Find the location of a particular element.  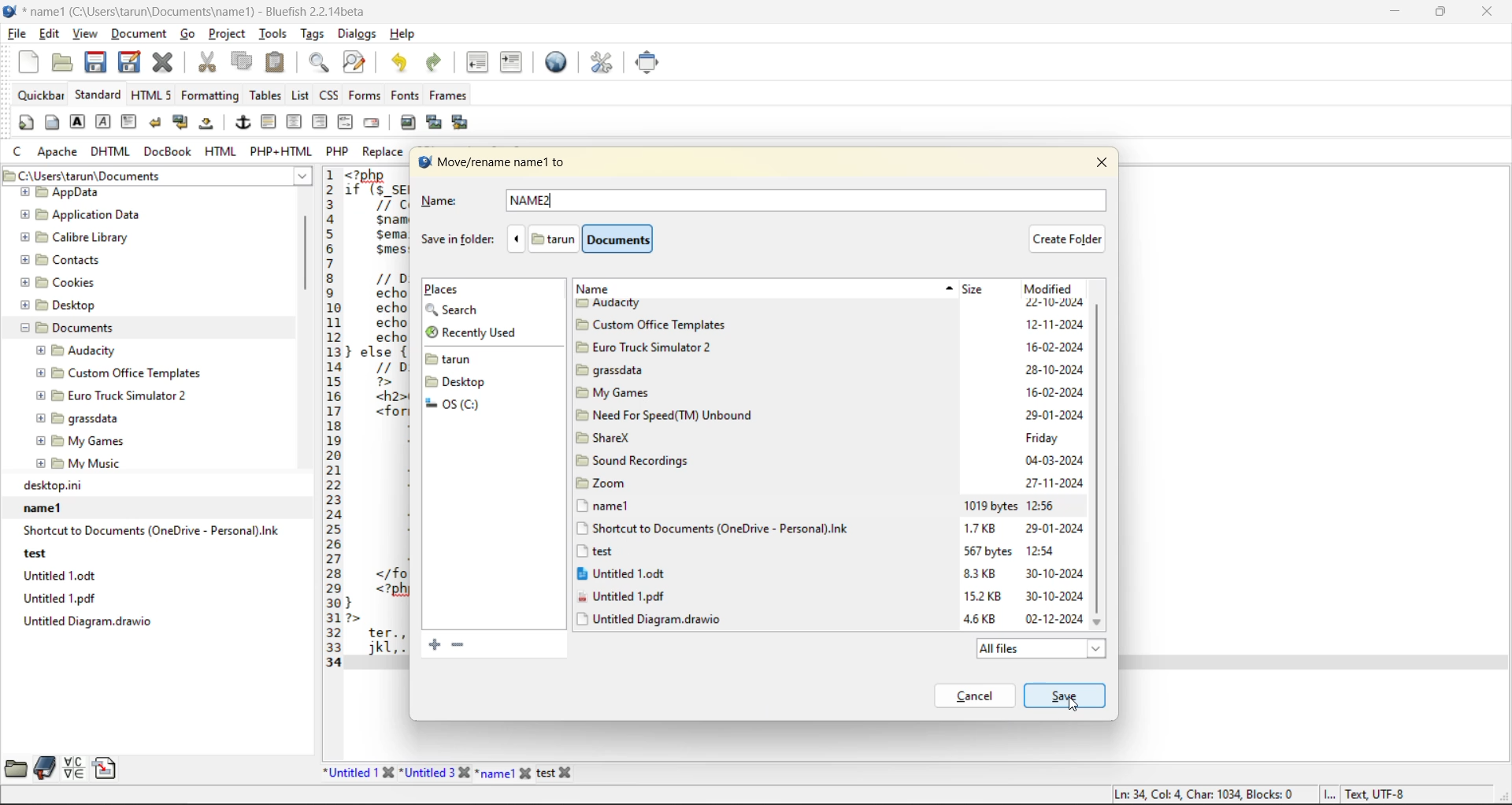

replace is located at coordinates (382, 153).